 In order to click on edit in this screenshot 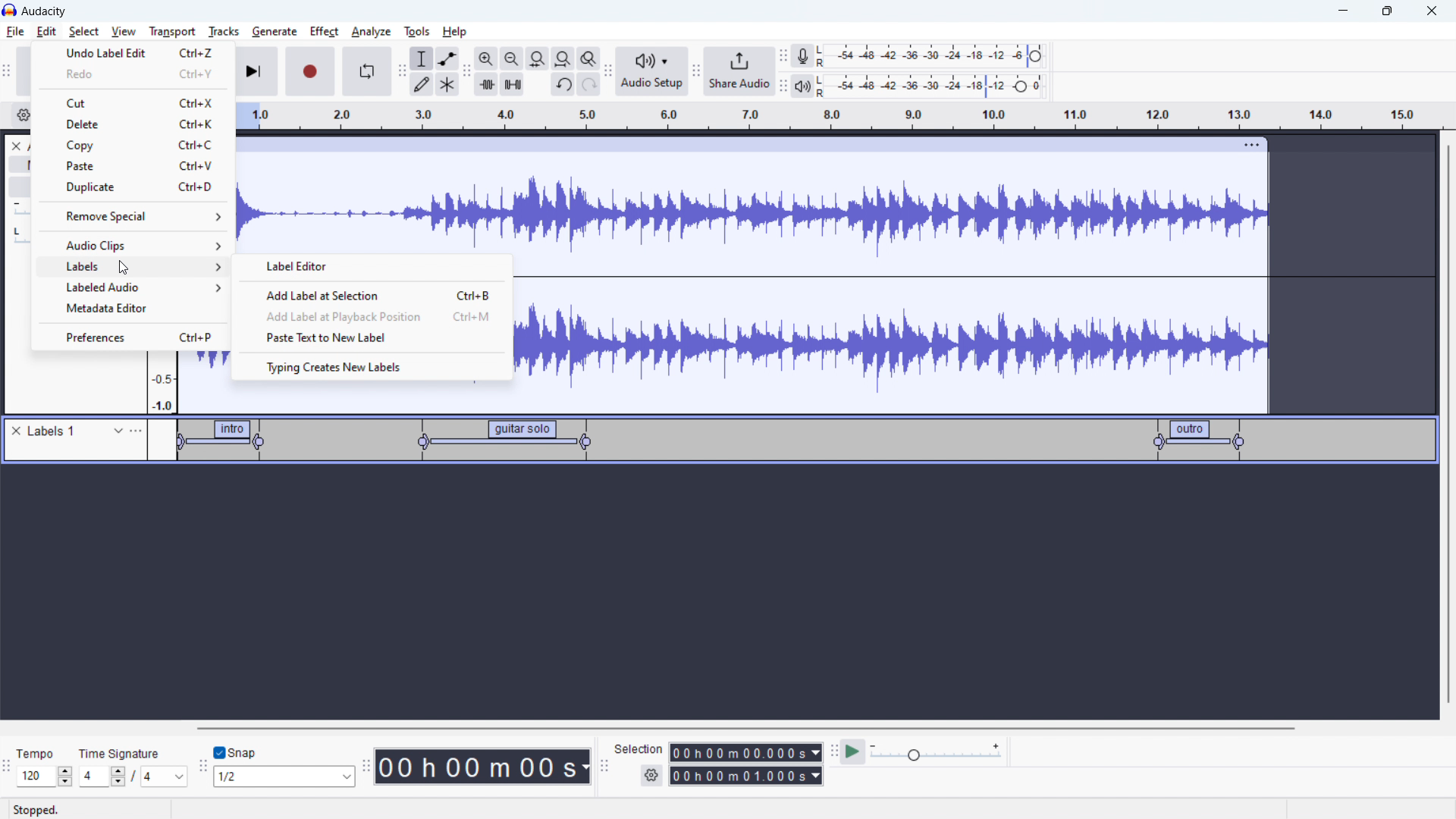, I will do `click(46, 32)`.